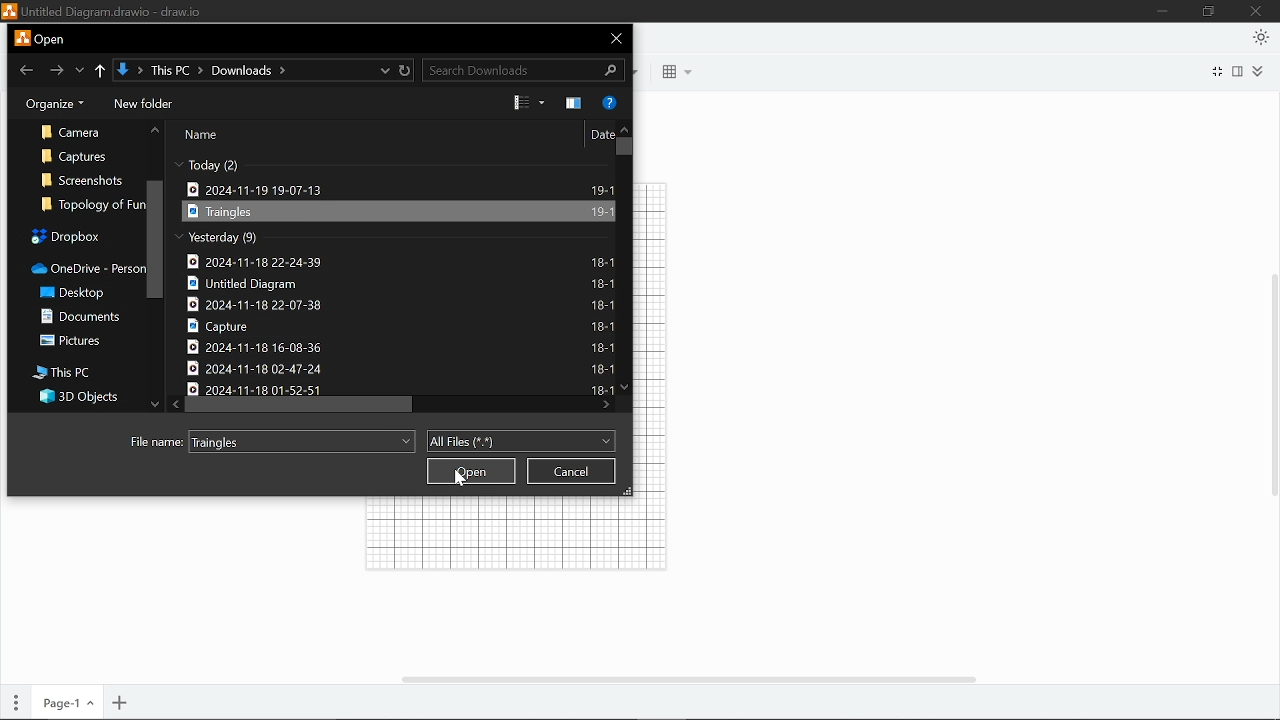 The height and width of the screenshot is (720, 1280). Describe the element at coordinates (1216, 73) in the screenshot. I see `Full screen` at that location.